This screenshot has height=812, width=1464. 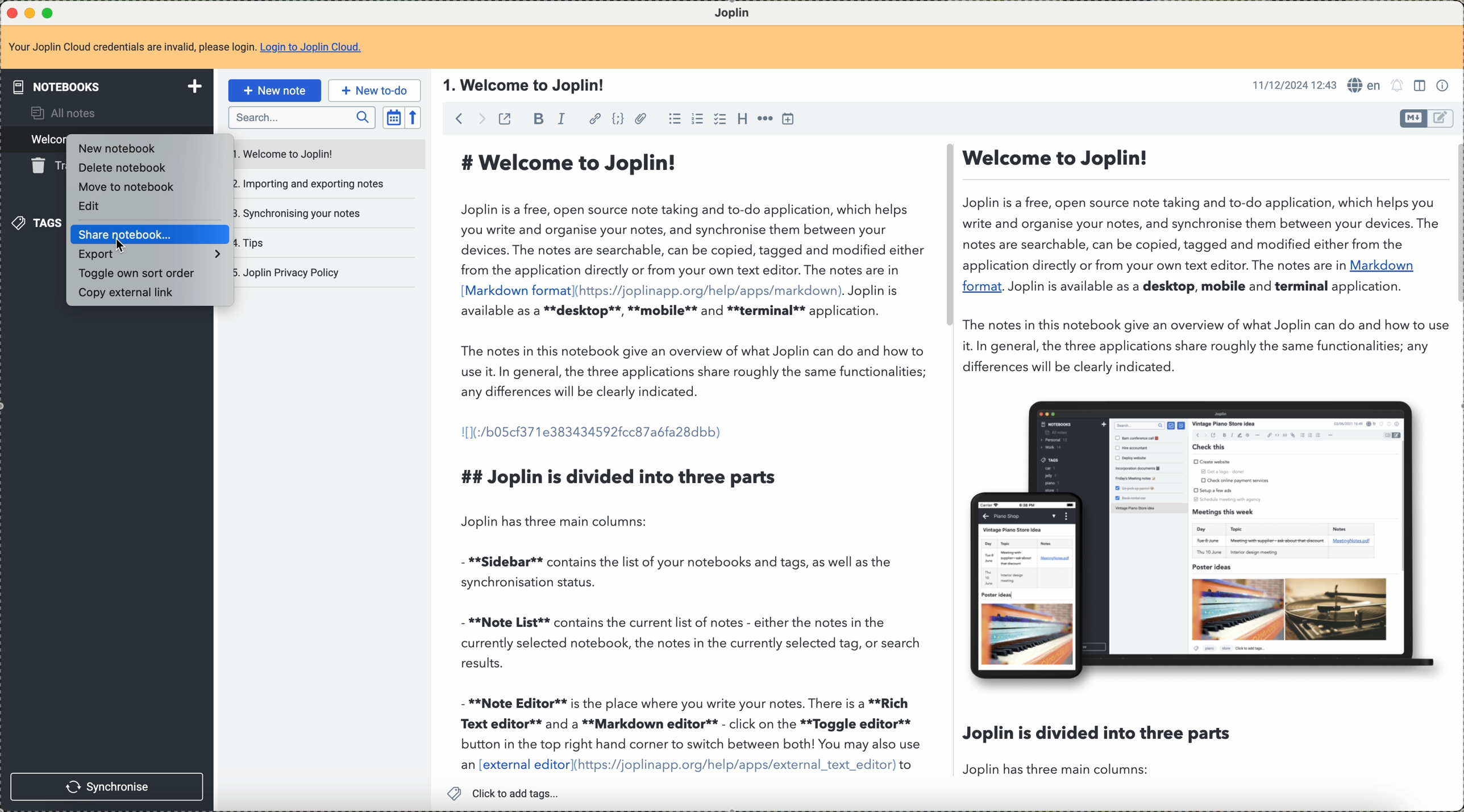 What do you see at coordinates (1204, 538) in the screenshot?
I see `Joplin Mobile and Tab Experience` at bounding box center [1204, 538].